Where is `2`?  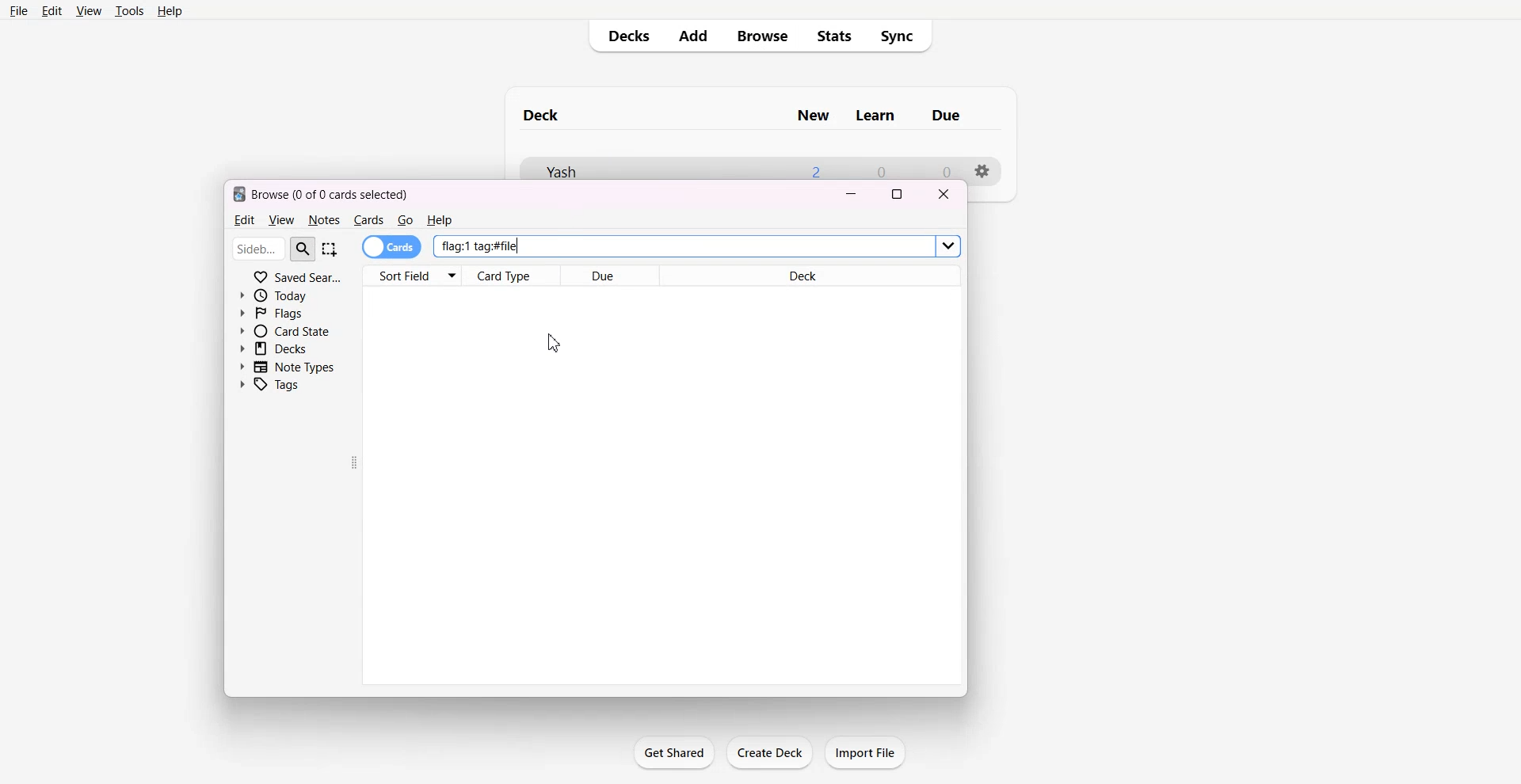 2 is located at coordinates (814, 167).